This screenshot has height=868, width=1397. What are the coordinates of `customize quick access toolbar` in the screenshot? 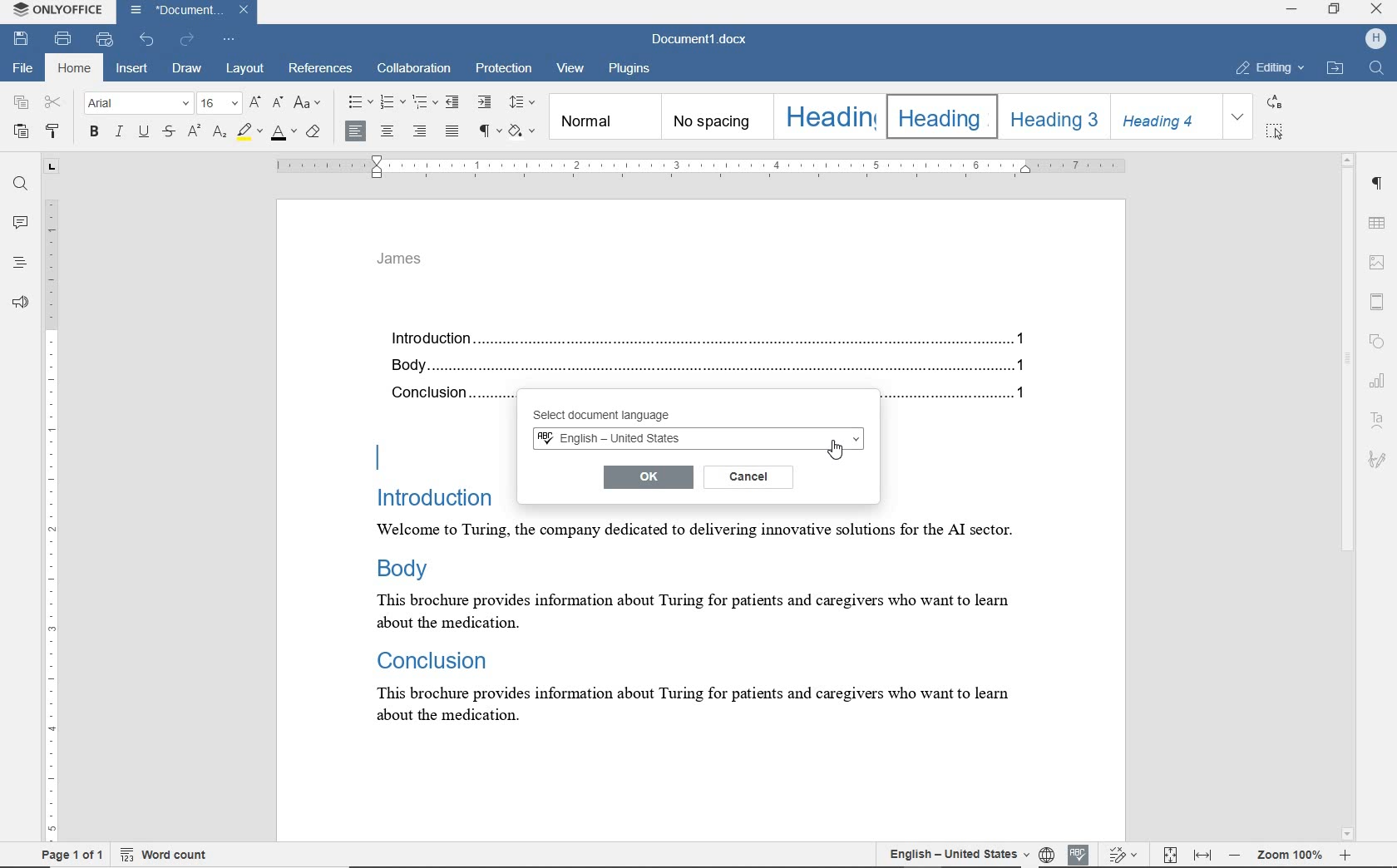 It's located at (229, 38).